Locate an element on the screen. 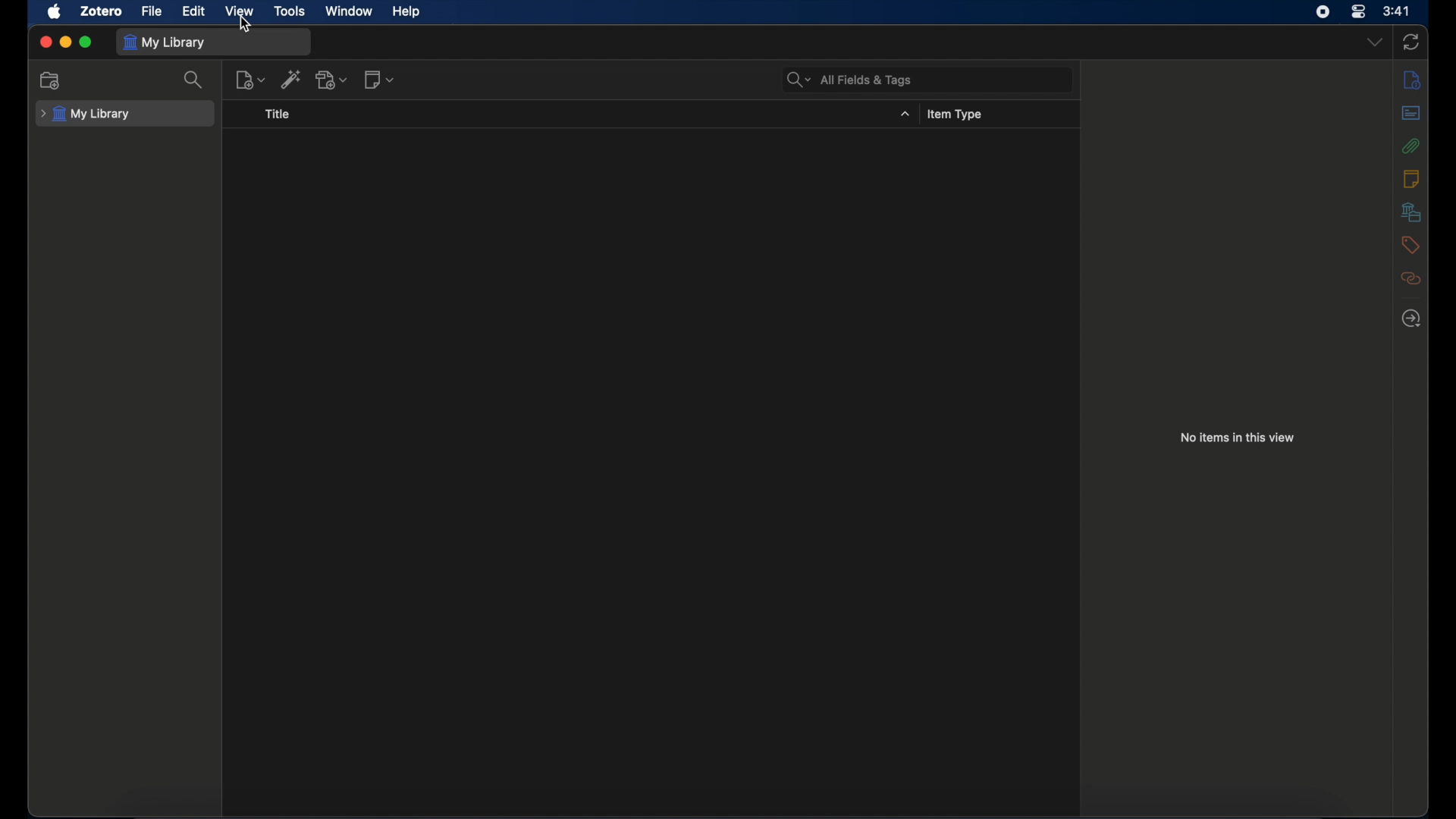  new note is located at coordinates (379, 80).